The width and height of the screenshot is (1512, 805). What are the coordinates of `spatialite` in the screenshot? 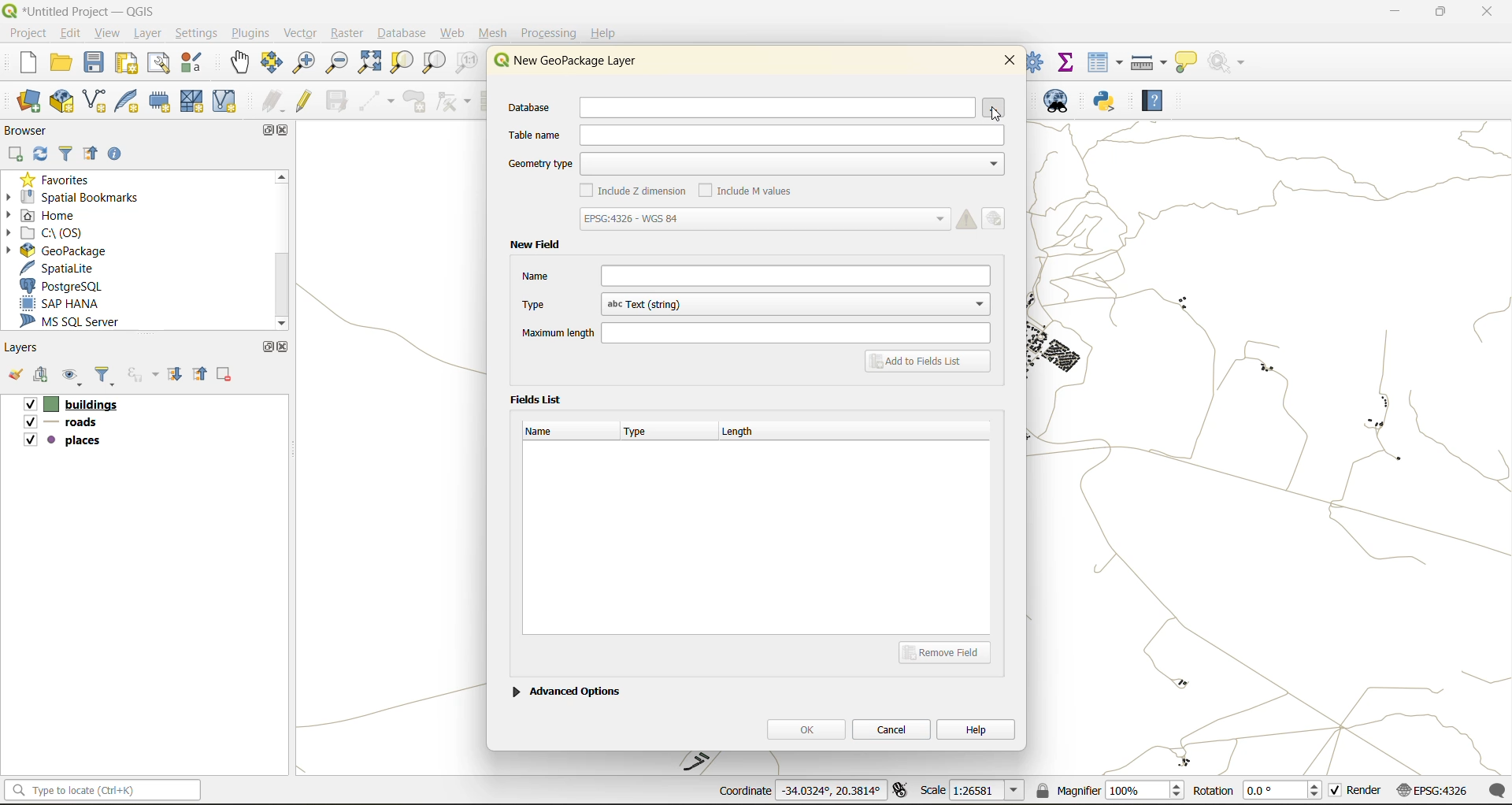 It's located at (66, 268).